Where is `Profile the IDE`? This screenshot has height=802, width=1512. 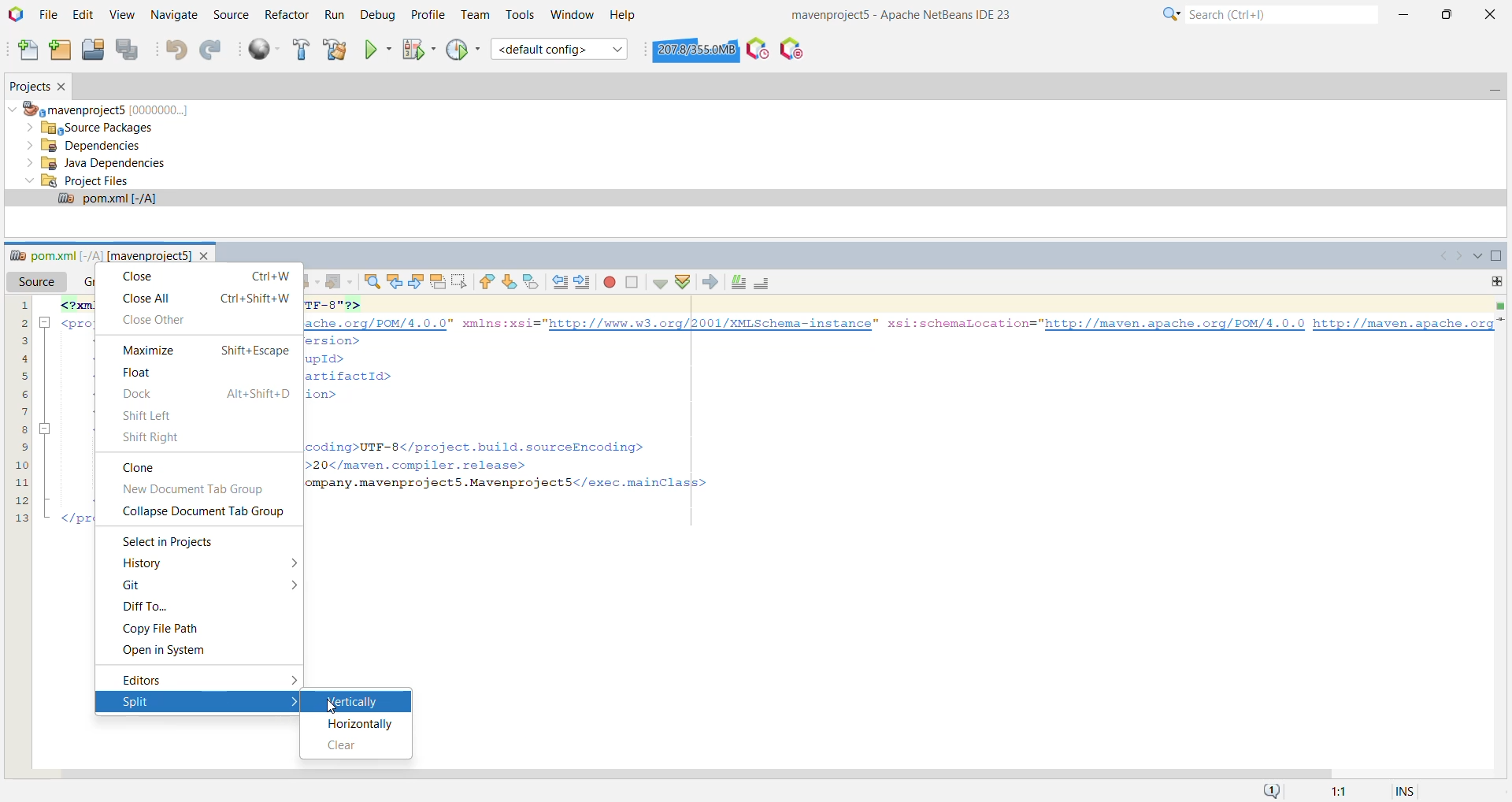 Profile the IDE is located at coordinates (758, 48).